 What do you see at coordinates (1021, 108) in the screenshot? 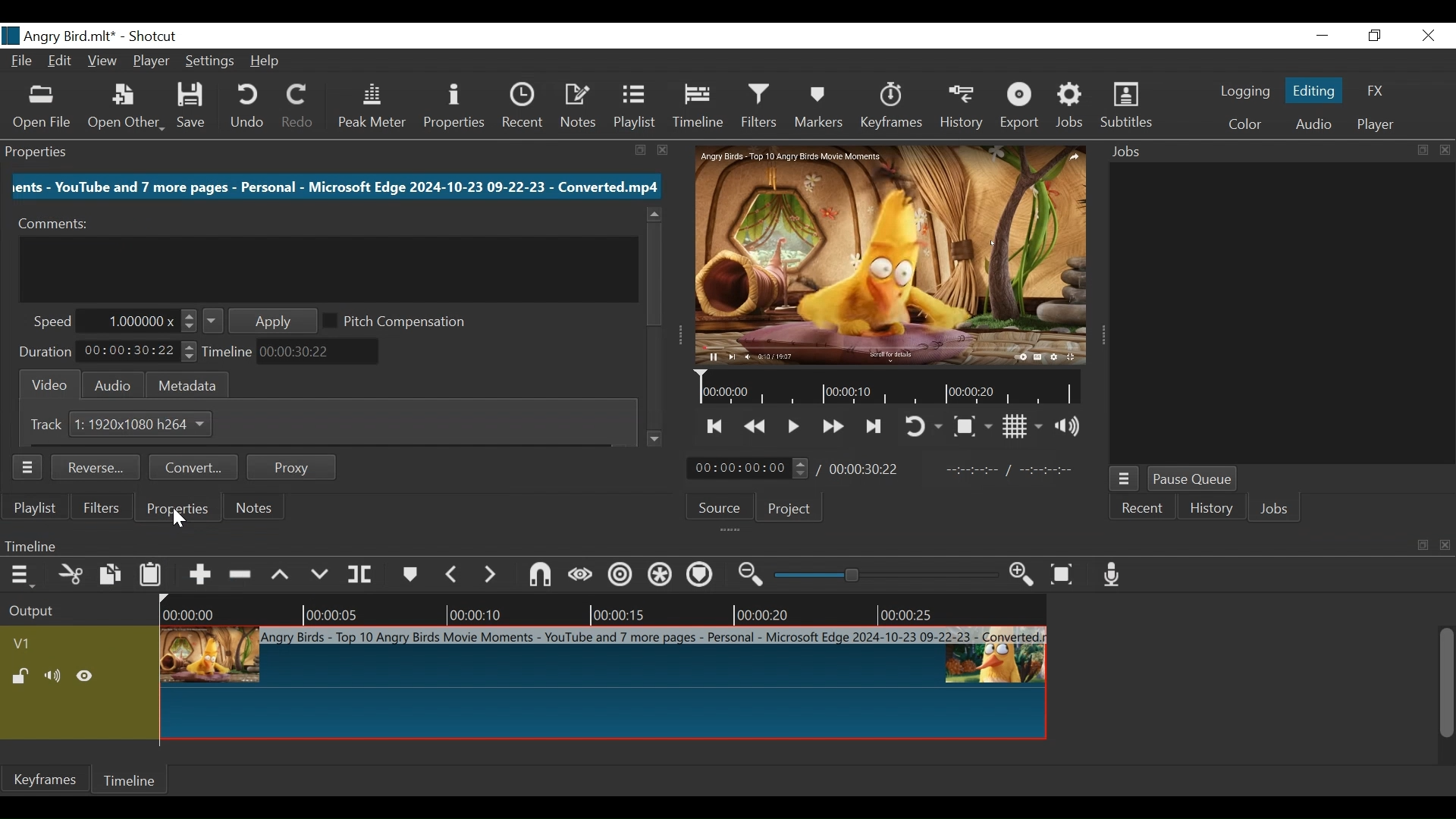
I see `Export` at bounding box center [1021, 108].